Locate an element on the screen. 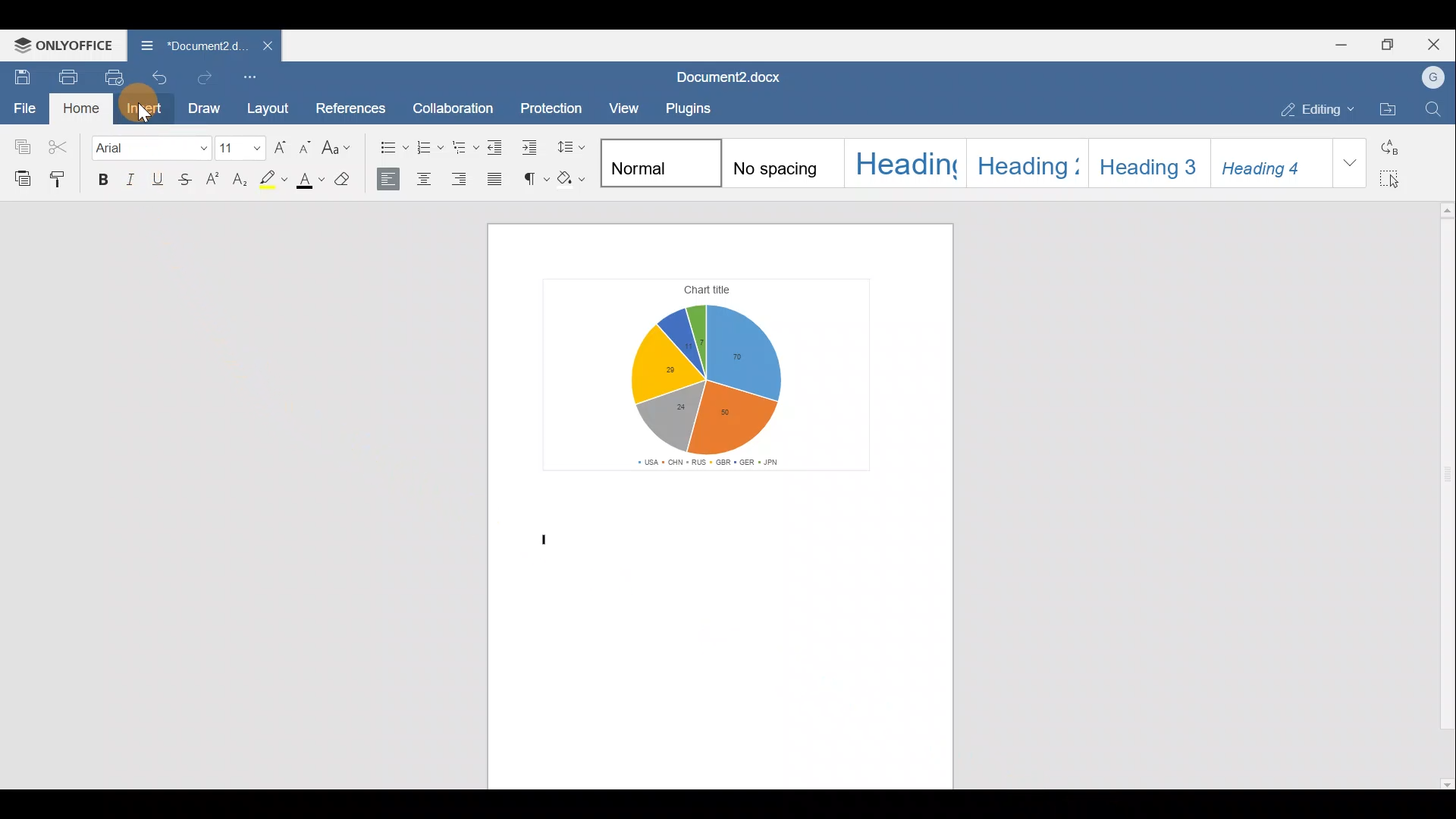 Image resolution: width=1456 pixels, height=819 pixels. Font name is located at coordinates (150, 147).